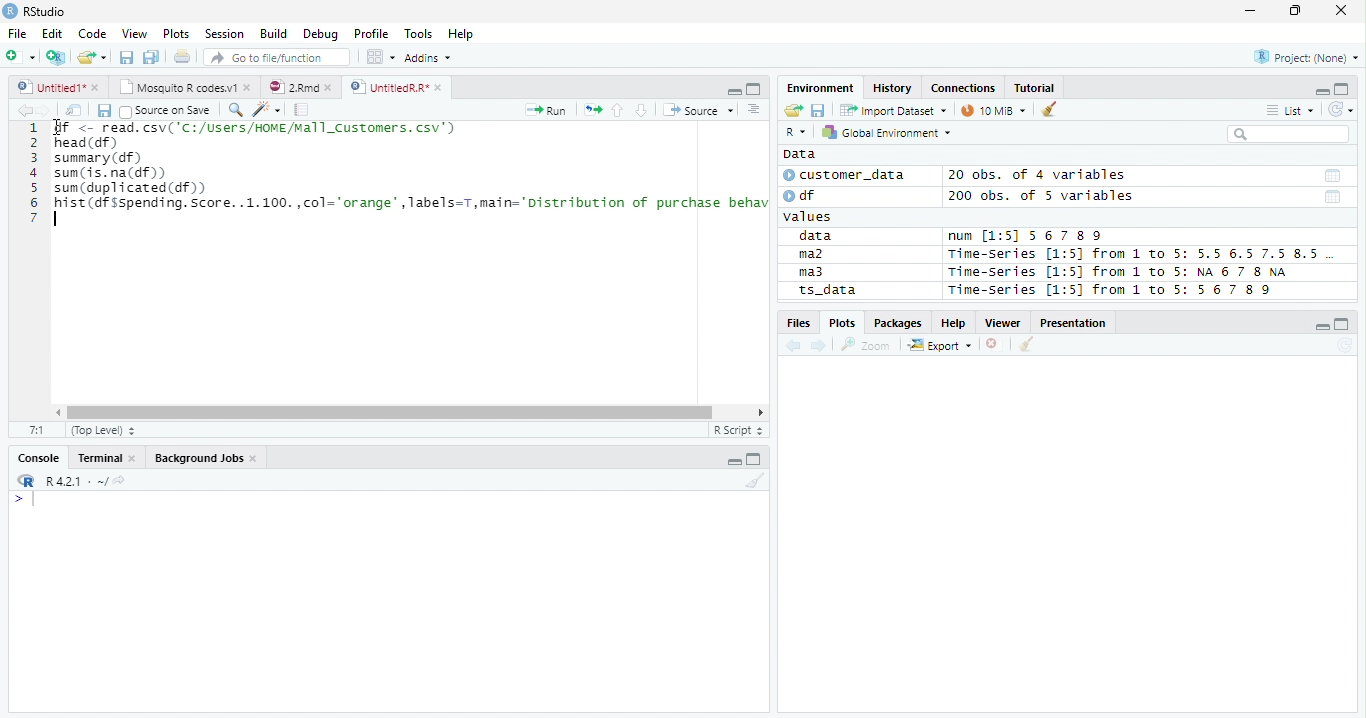 The image size is (1366, 718). Describe the element at coordinates (1340, 11) in the screenshot. I see `Close` at that location.